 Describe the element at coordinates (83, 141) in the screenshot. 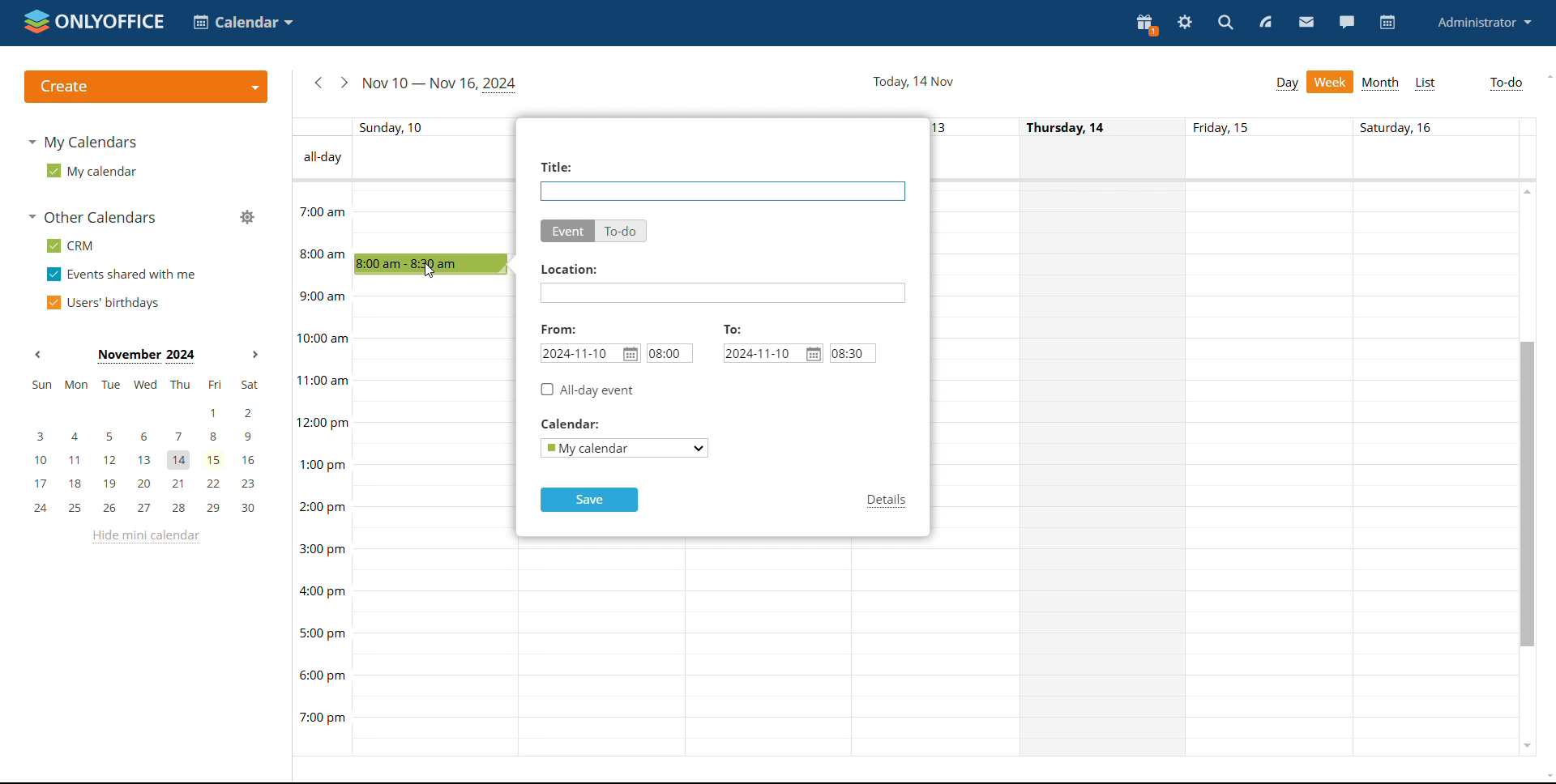

I see `my calendars` at that location.